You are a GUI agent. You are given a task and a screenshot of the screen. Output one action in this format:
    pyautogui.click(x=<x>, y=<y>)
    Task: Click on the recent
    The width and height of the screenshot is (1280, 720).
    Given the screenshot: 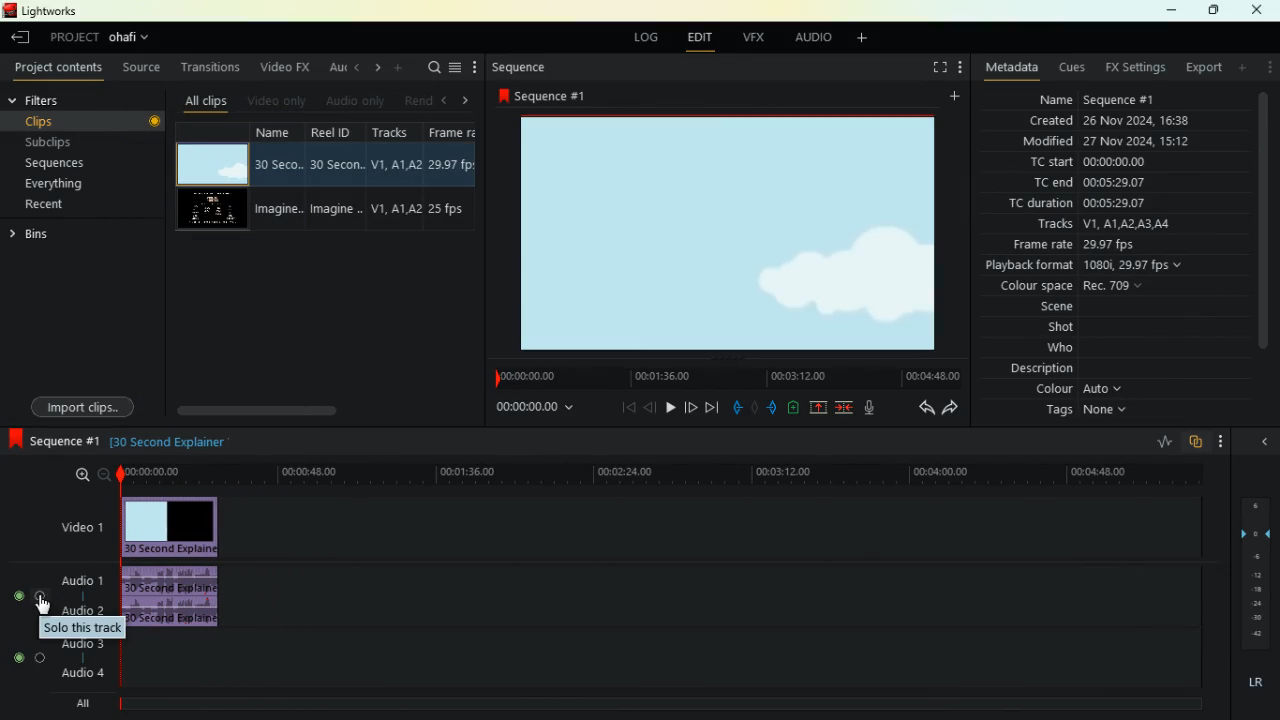 What is the action you would take?
    pyautogui.click(x=47, y=204)
    